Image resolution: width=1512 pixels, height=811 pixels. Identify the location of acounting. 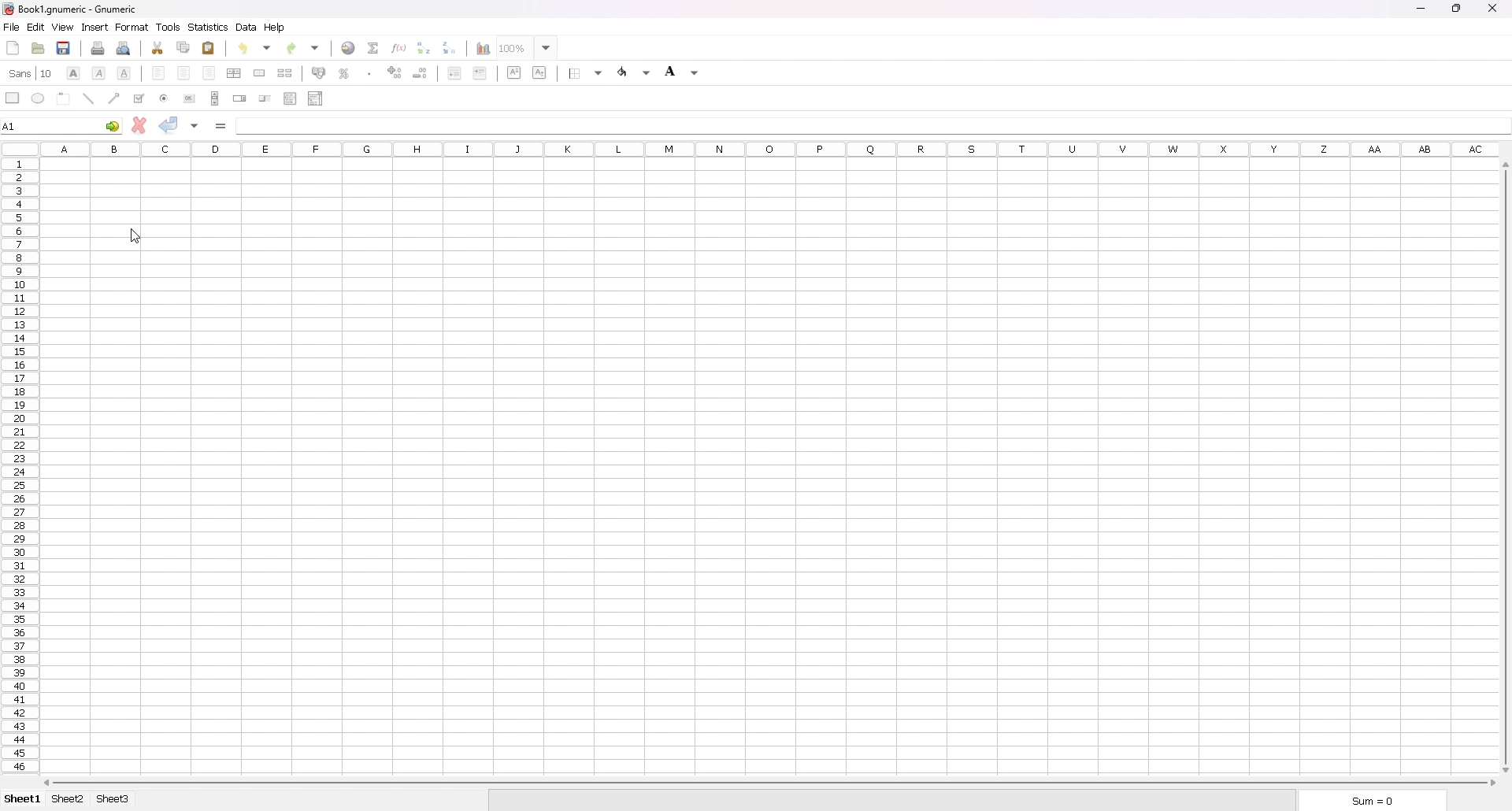
(319, 72).